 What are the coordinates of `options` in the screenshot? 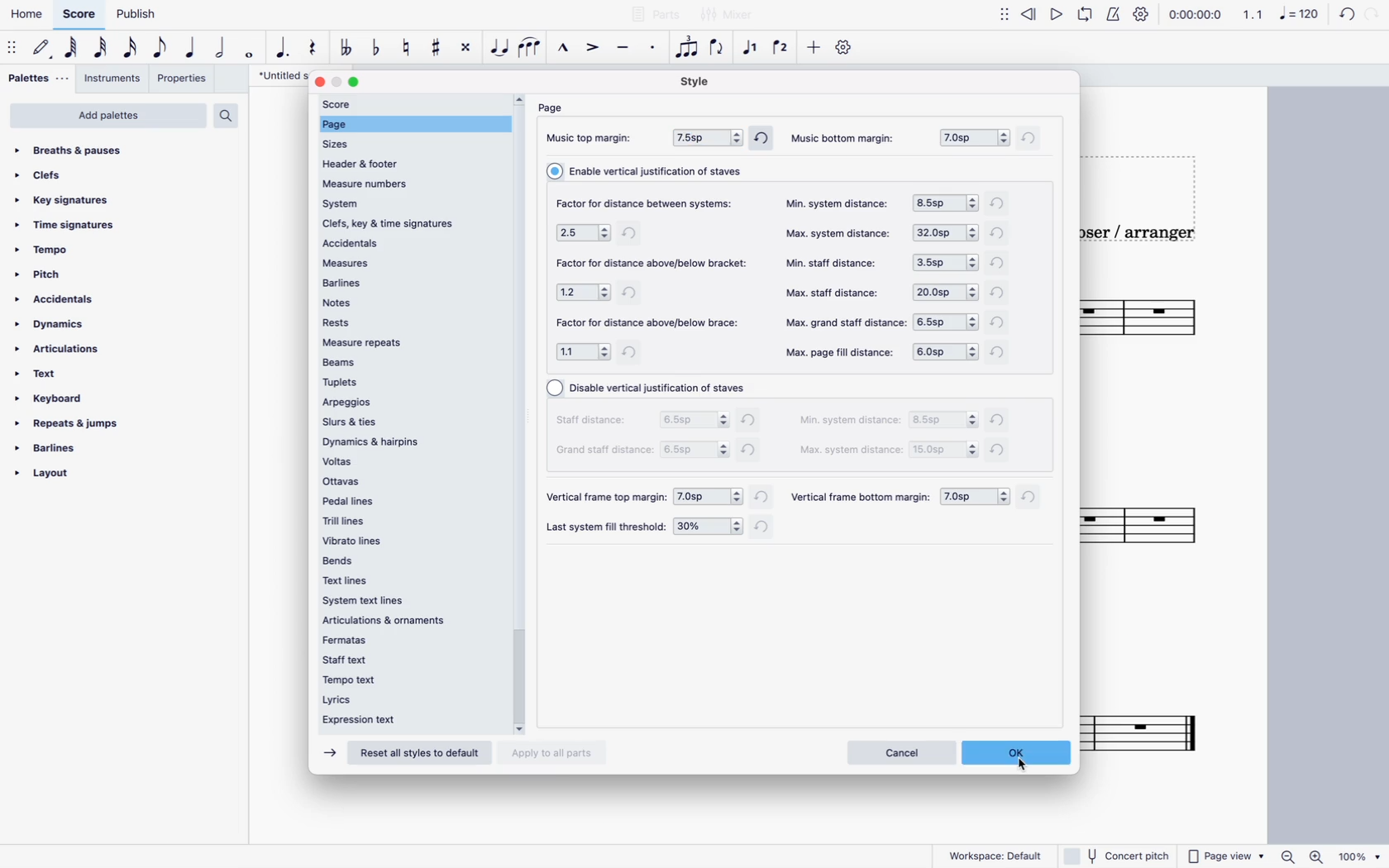 It's located at (583, 354).